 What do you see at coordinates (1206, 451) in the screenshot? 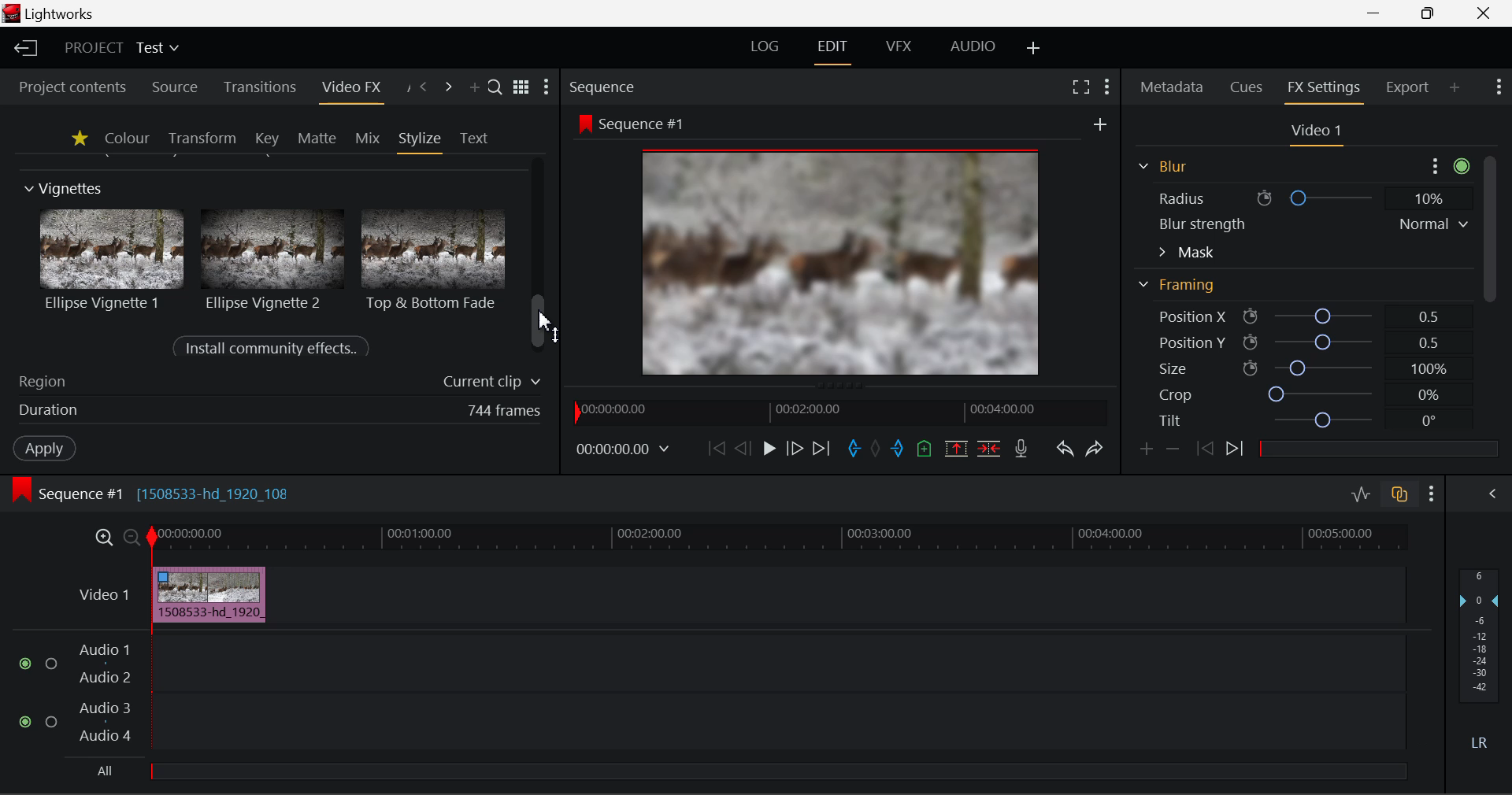
I see `Last keyframe` at bounding box center [1206, 451].